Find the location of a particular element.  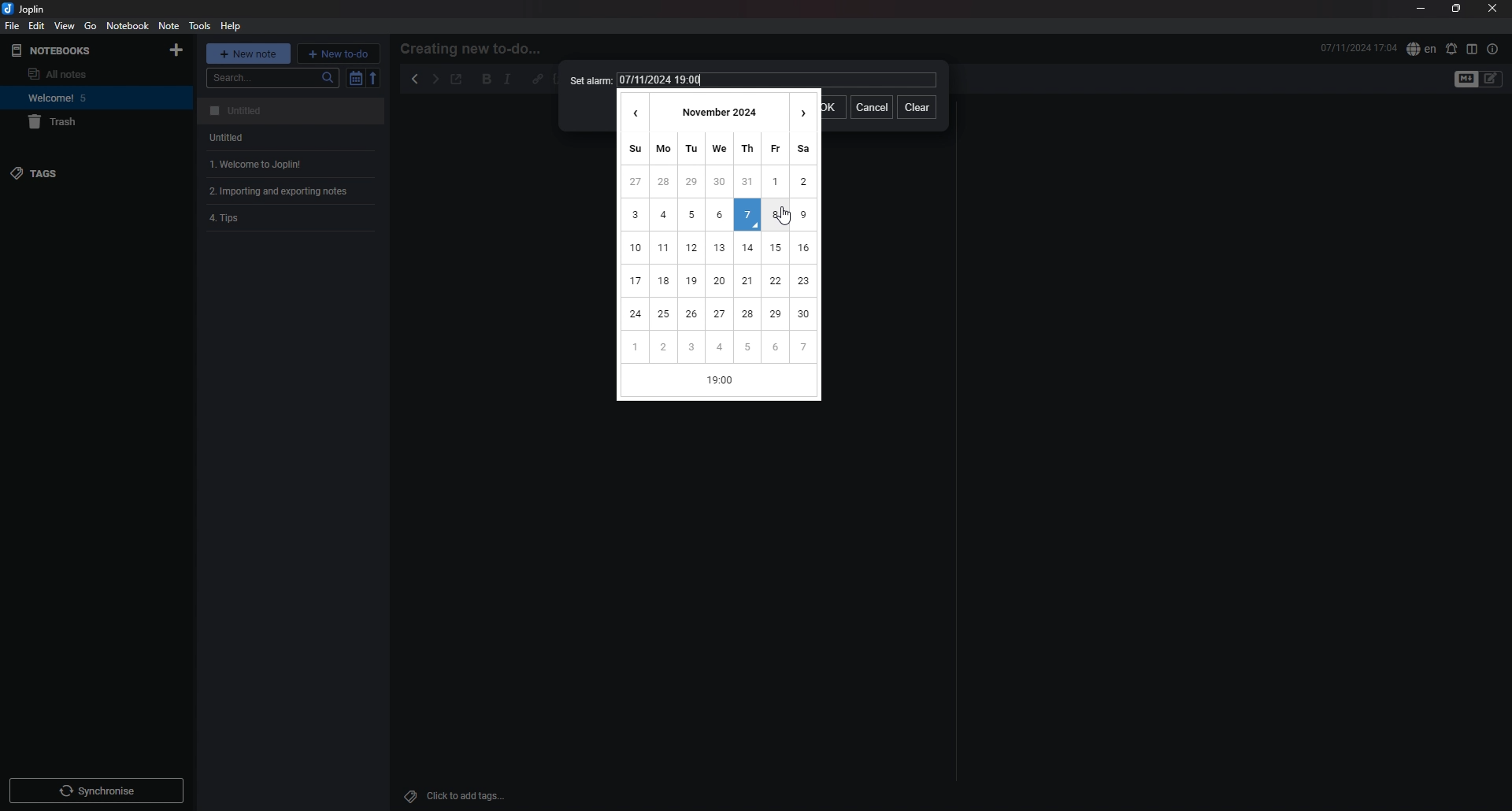

add notebook is located at coordinates (178, 50).